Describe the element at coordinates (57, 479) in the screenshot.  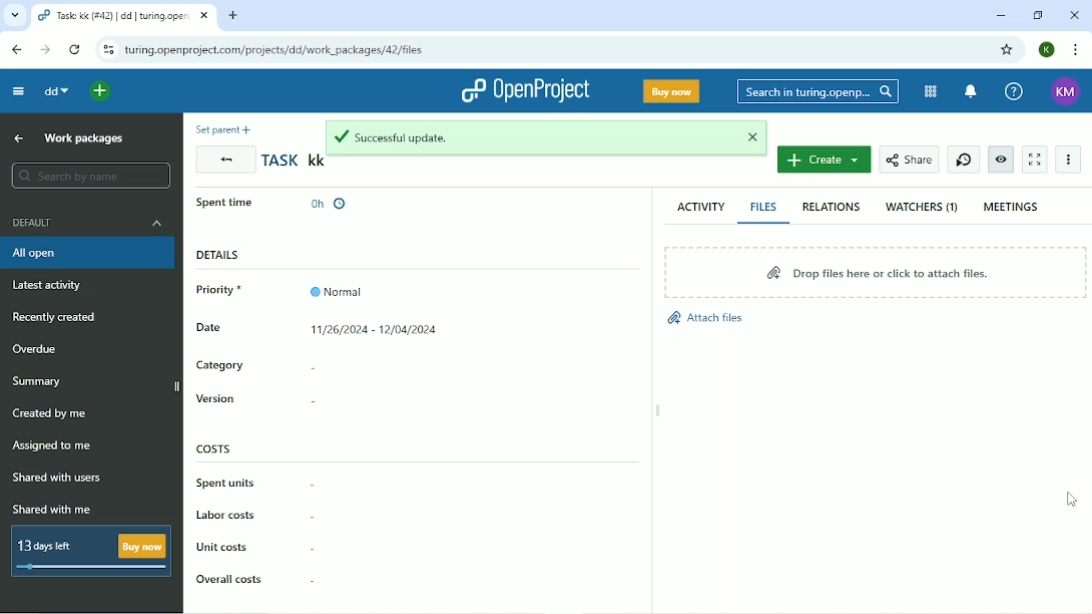
I see `Shared with users` at that location.